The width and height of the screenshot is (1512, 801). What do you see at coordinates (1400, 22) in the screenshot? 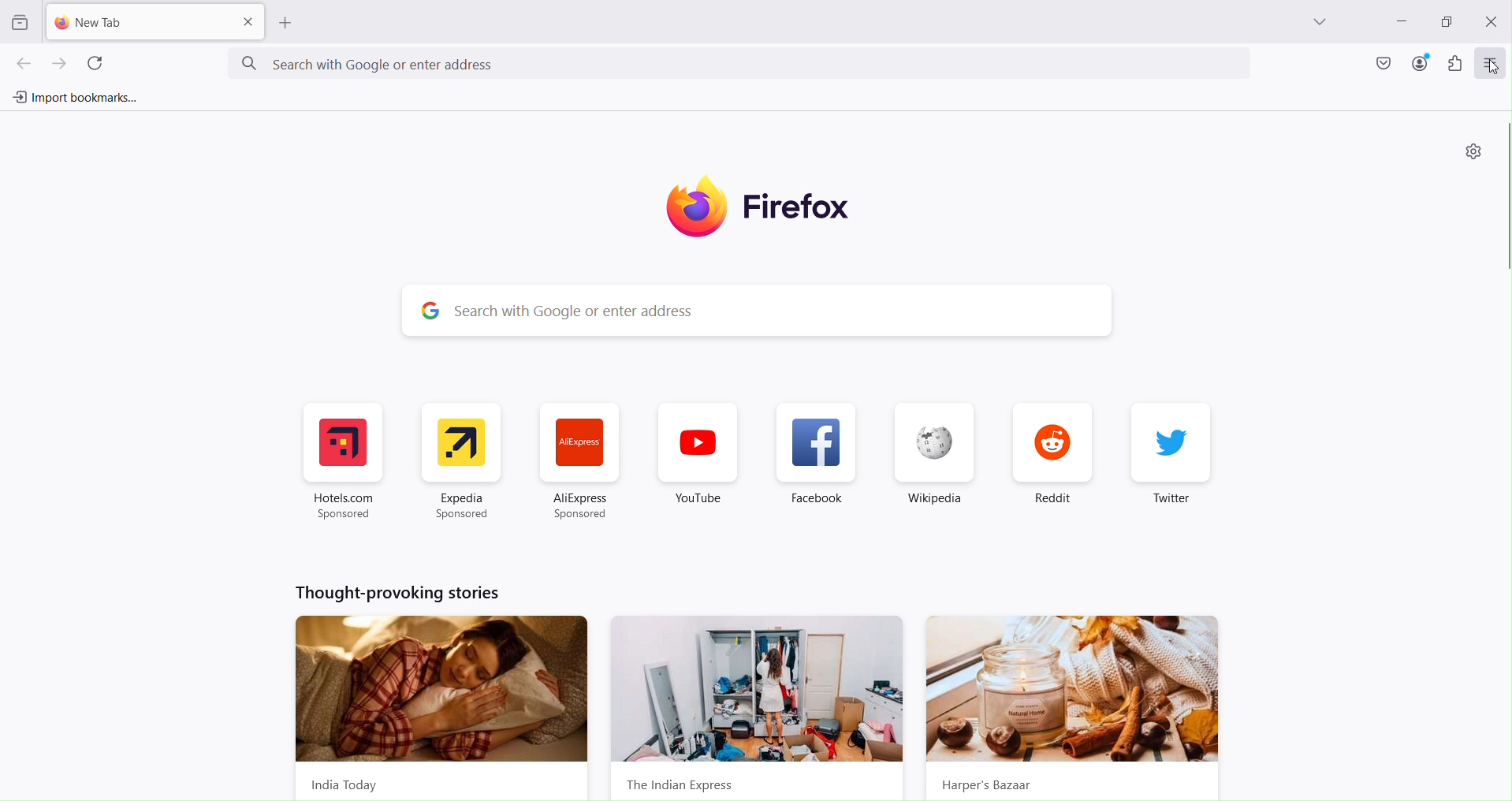
I see `Minimize` at bounding box center [1400, 22].